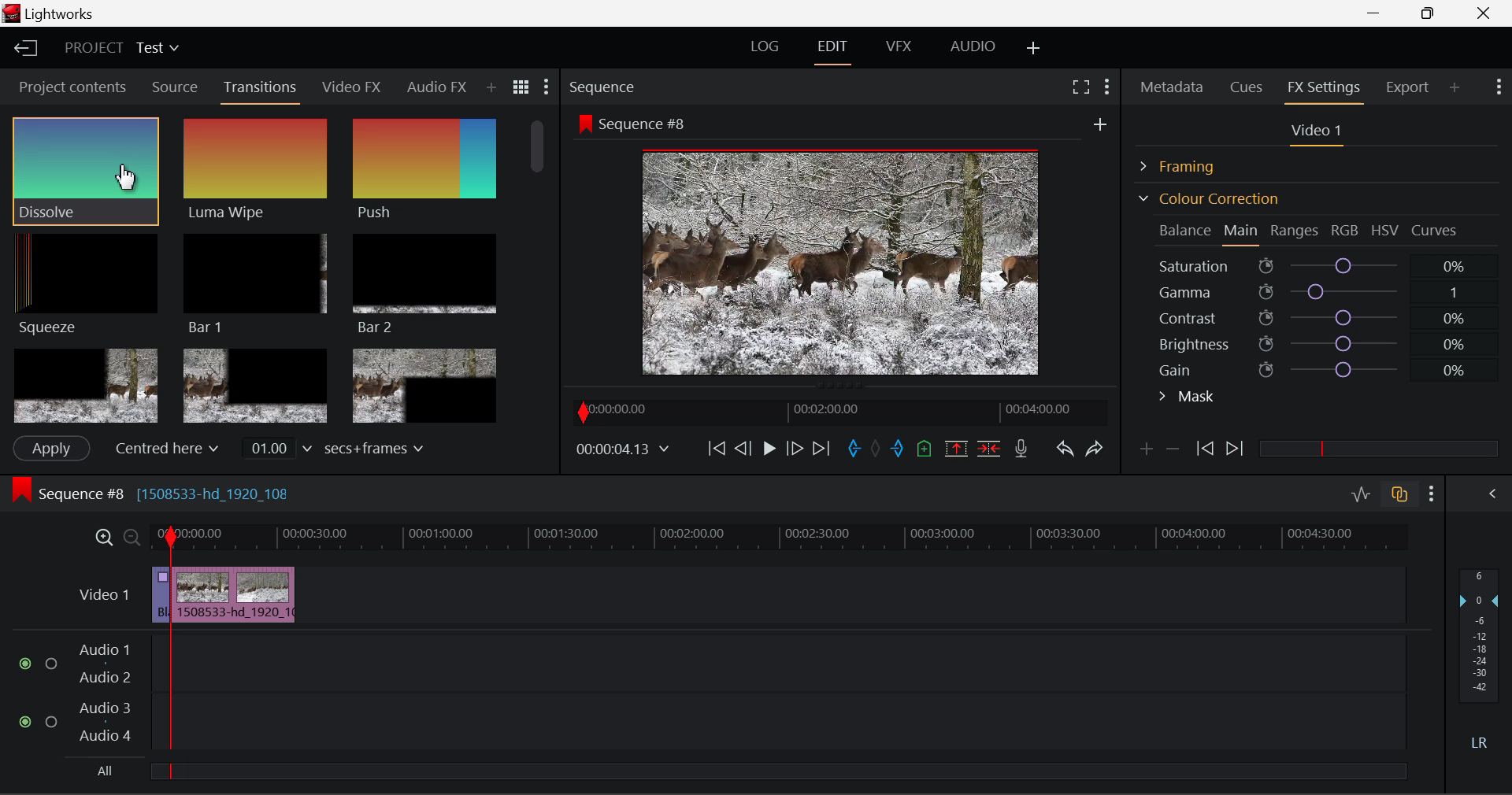 Image resolution: width=1512 pixels, height=795 pixels. I want to click on slider, so click(1378, 448).